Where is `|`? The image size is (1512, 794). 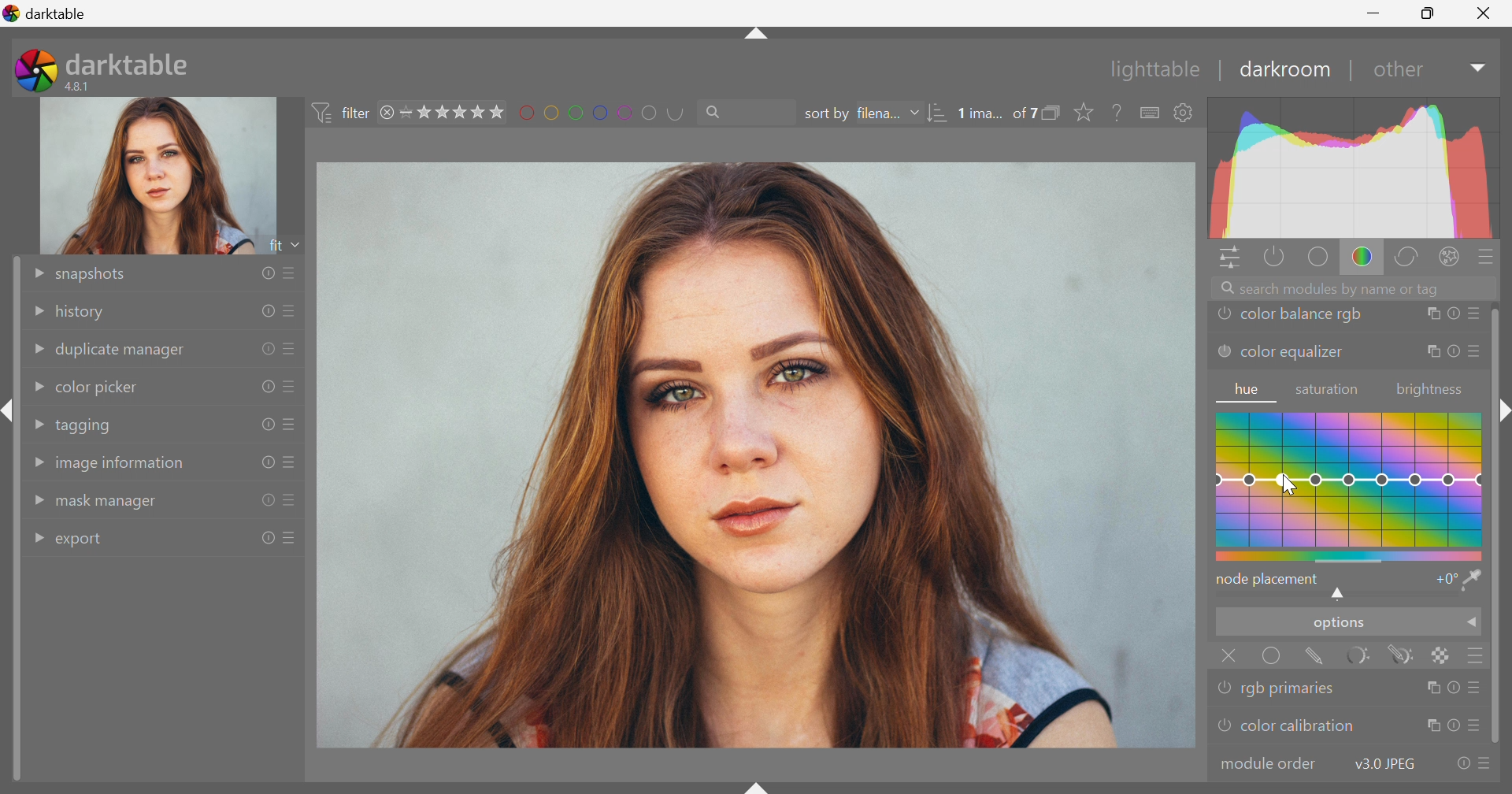 | is located at coordinates (1221, 69).